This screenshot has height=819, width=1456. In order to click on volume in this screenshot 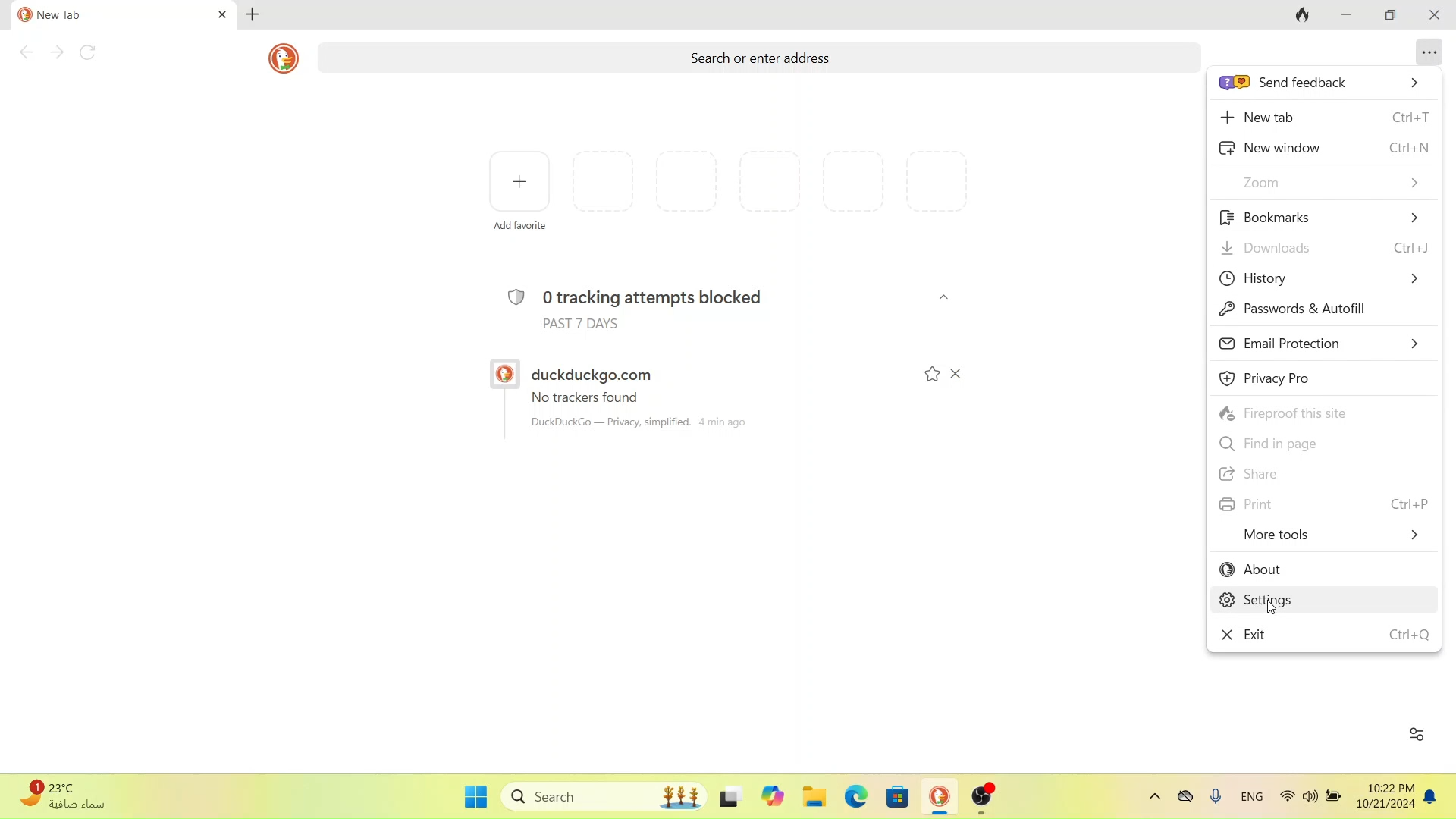, I will do `click(1309, 803)`.